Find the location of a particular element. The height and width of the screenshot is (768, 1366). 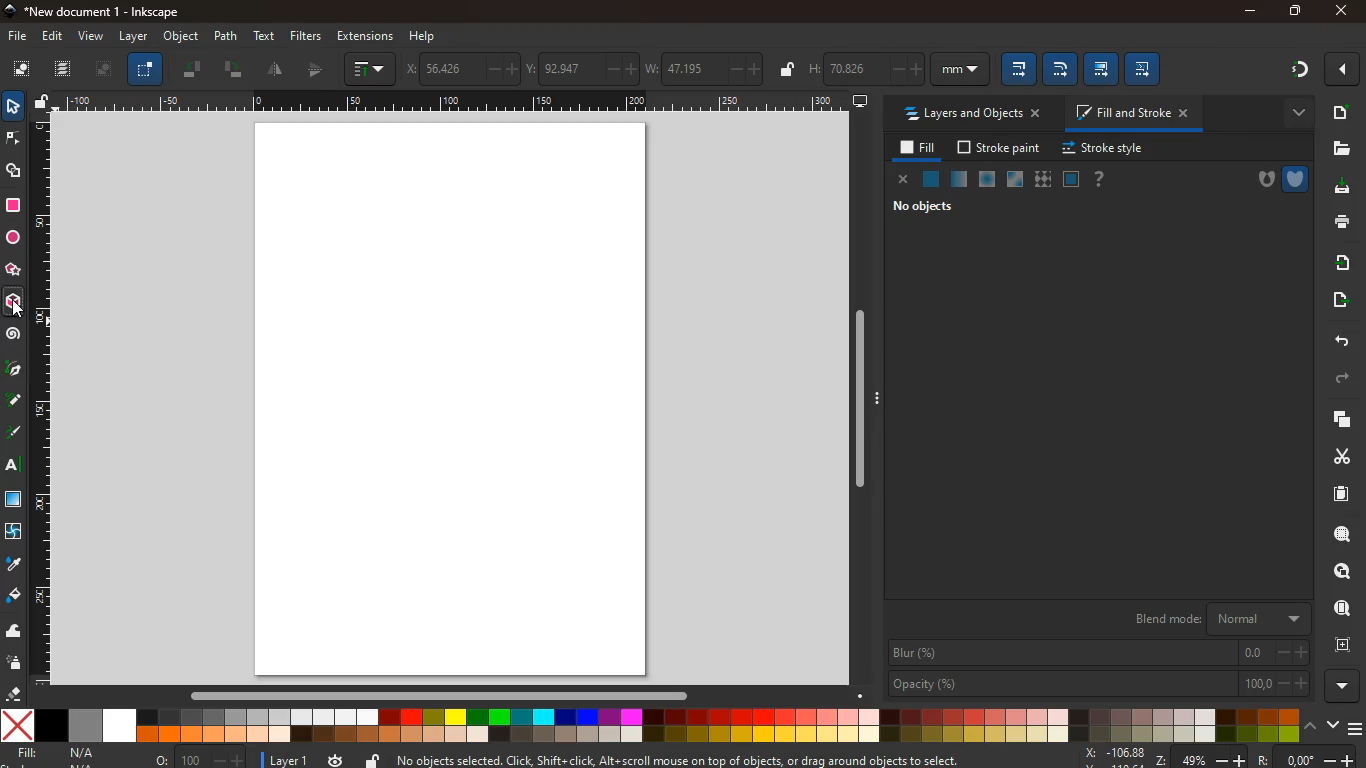

back is located at coordinates (1340, 340).